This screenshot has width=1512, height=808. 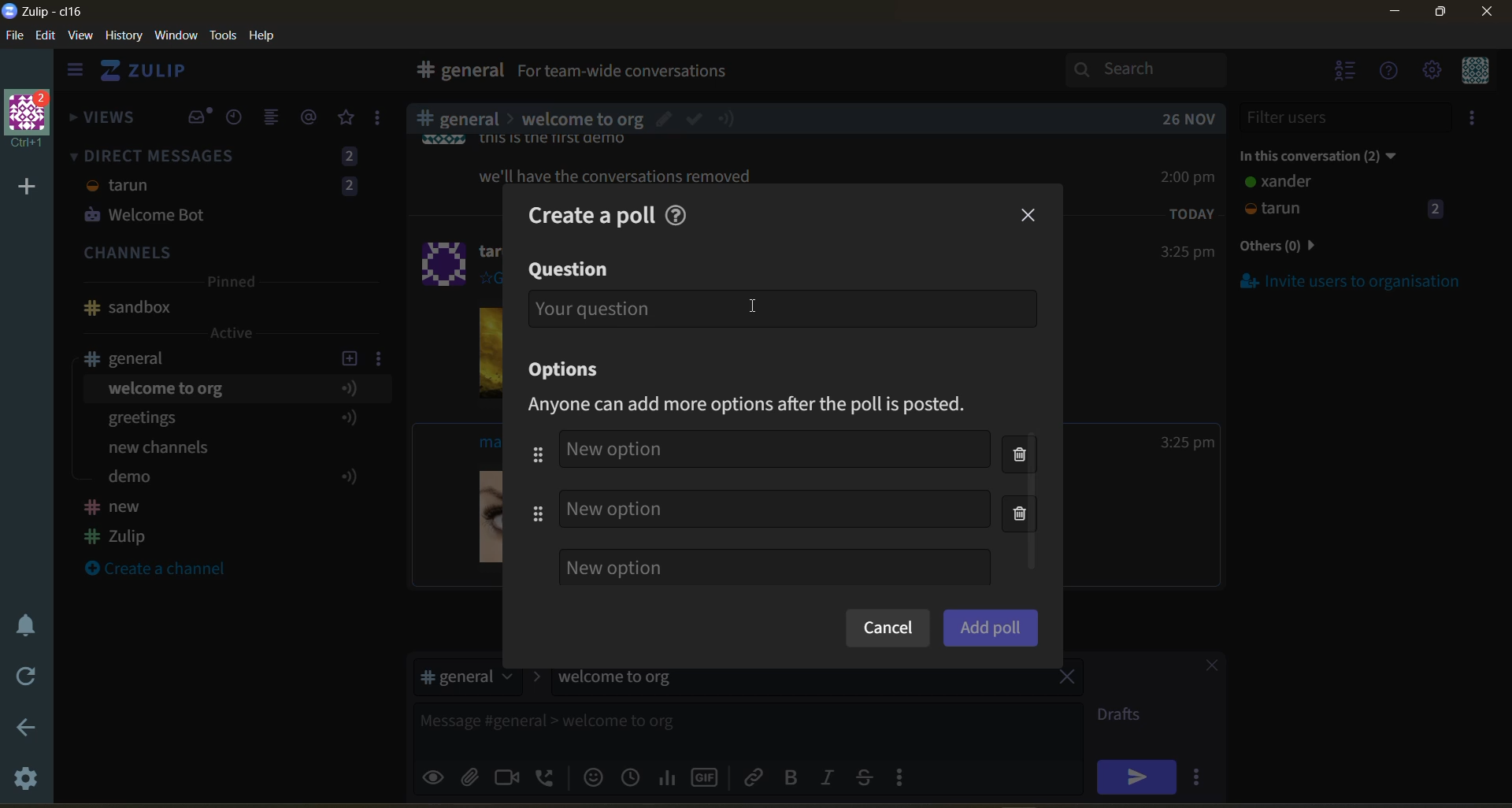 What do you see at coordinates (762, 406) in the screenshot?
I see `metadata` at bounding box center [762, 406].